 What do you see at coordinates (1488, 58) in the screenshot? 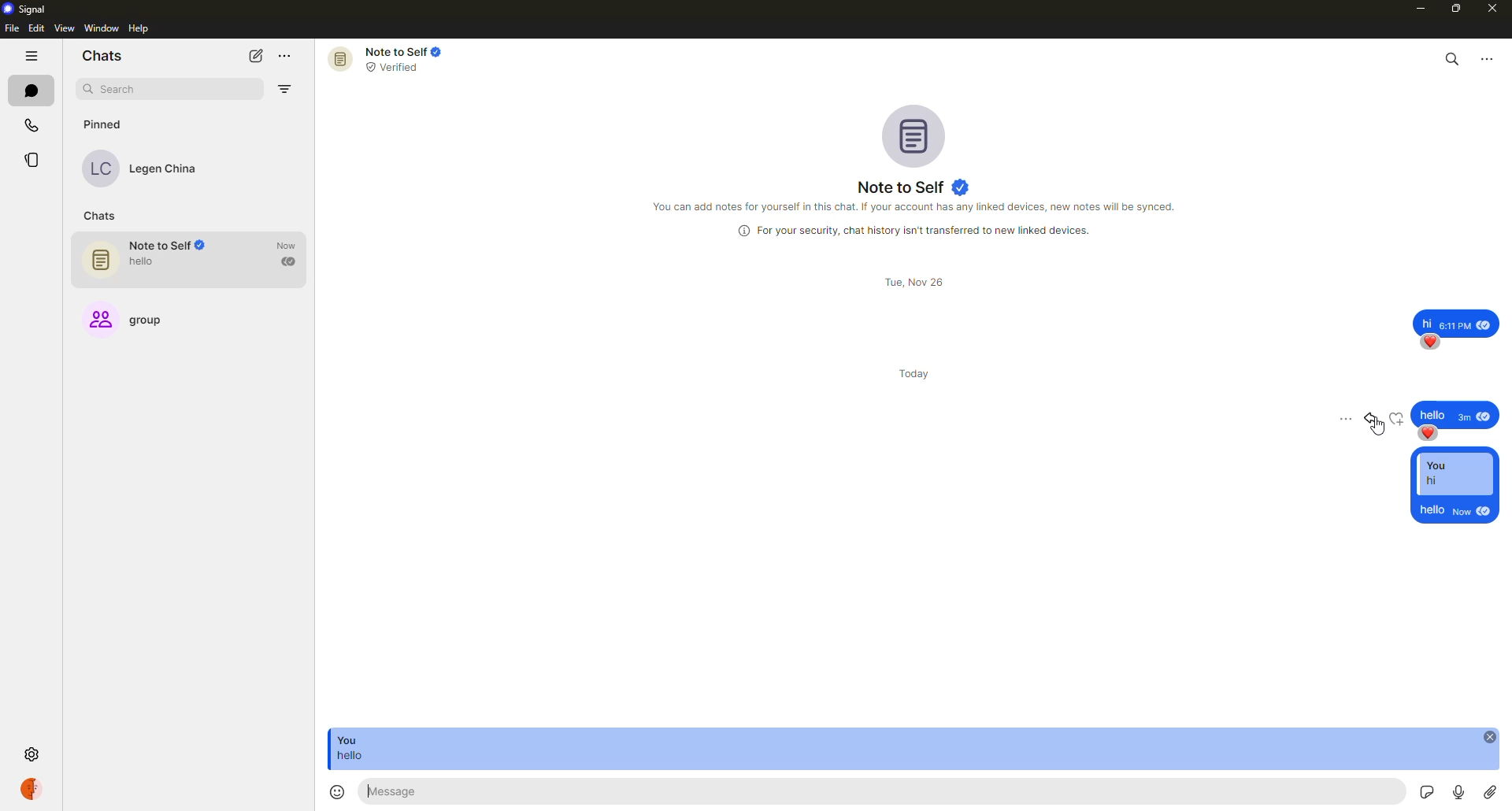
I see `more` at bounding box center [1488, 58].